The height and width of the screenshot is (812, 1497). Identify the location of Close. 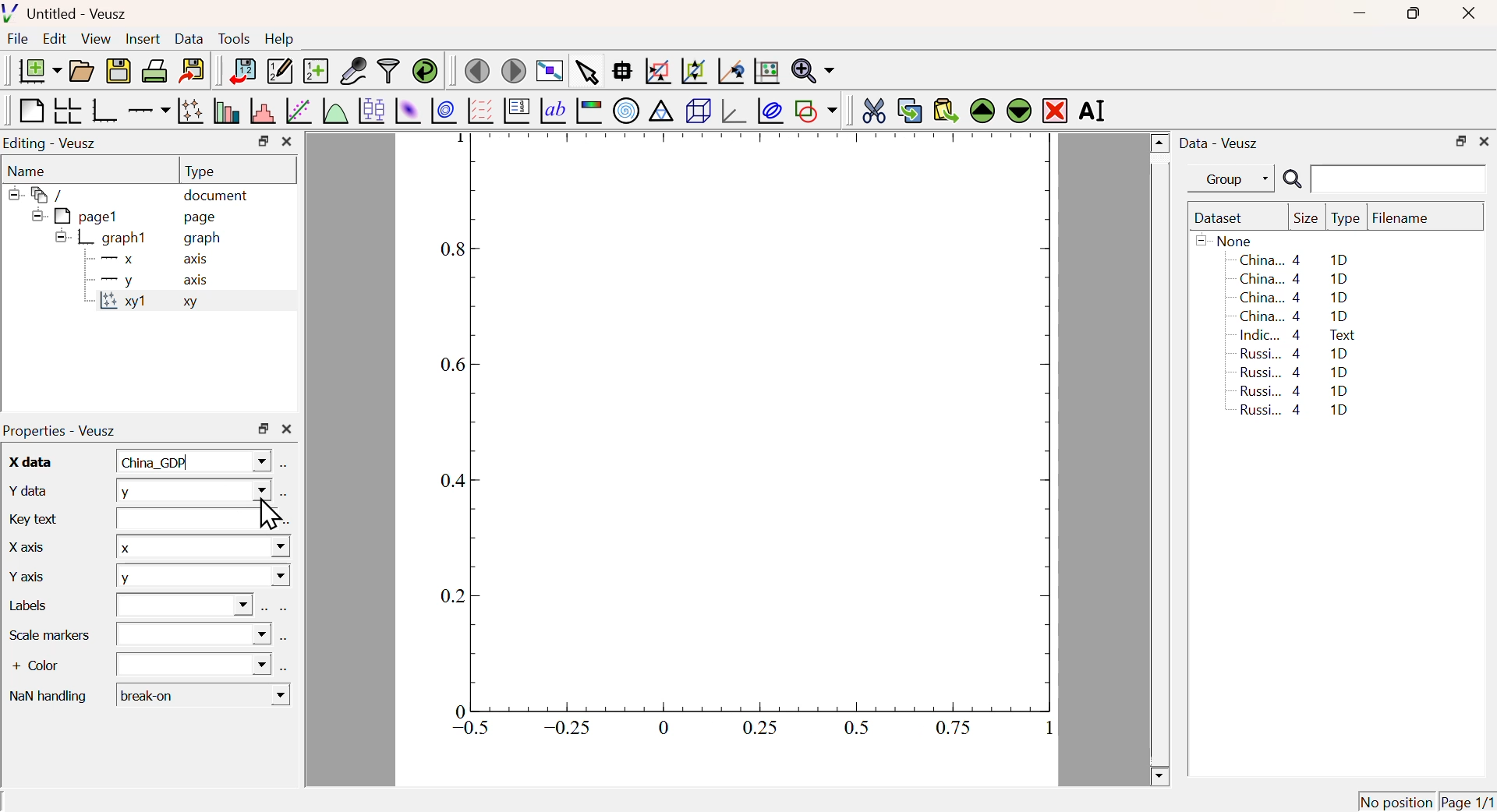
(287, 142).